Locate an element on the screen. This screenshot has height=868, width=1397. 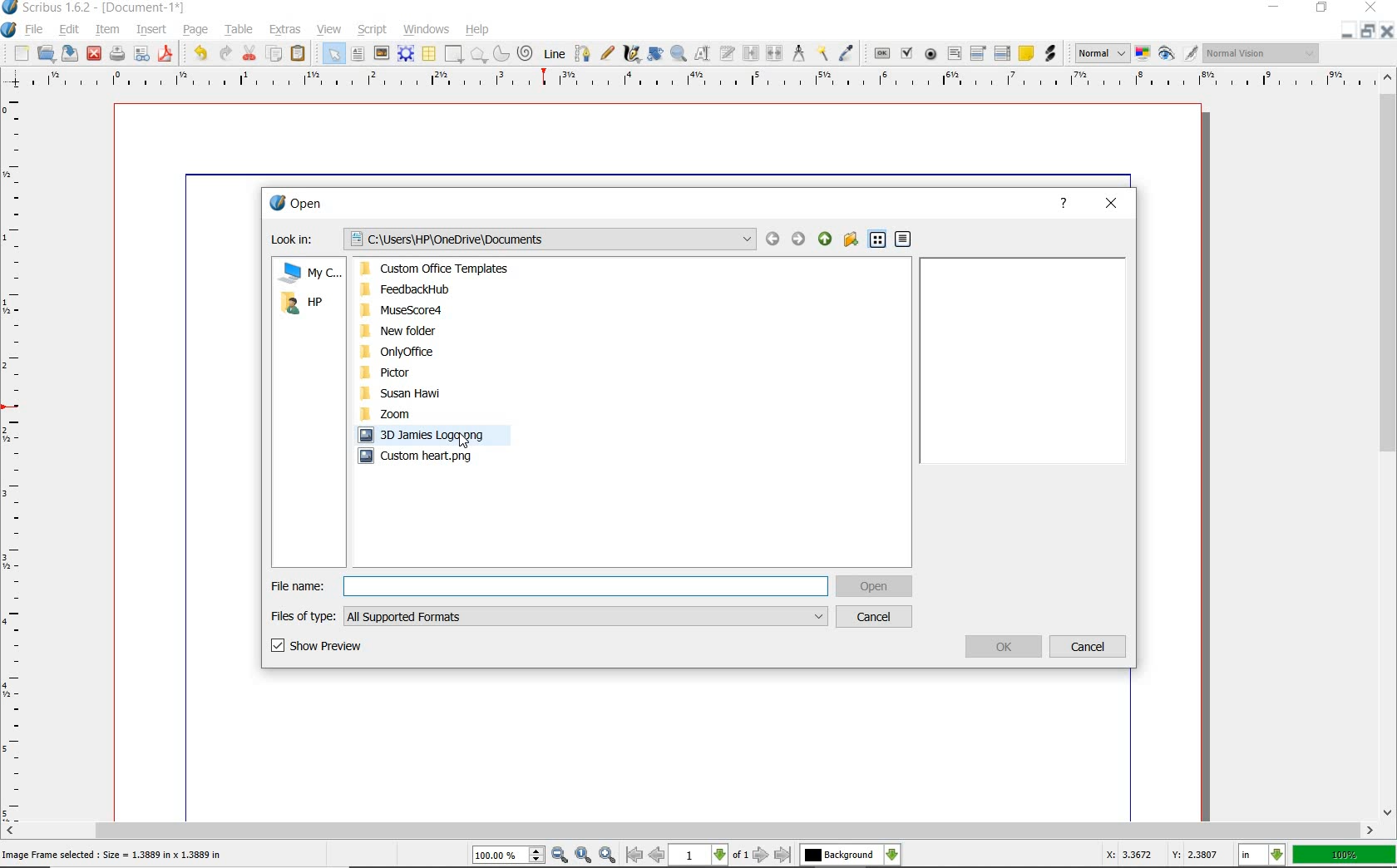
my computer is located at coordinates (308, 274).